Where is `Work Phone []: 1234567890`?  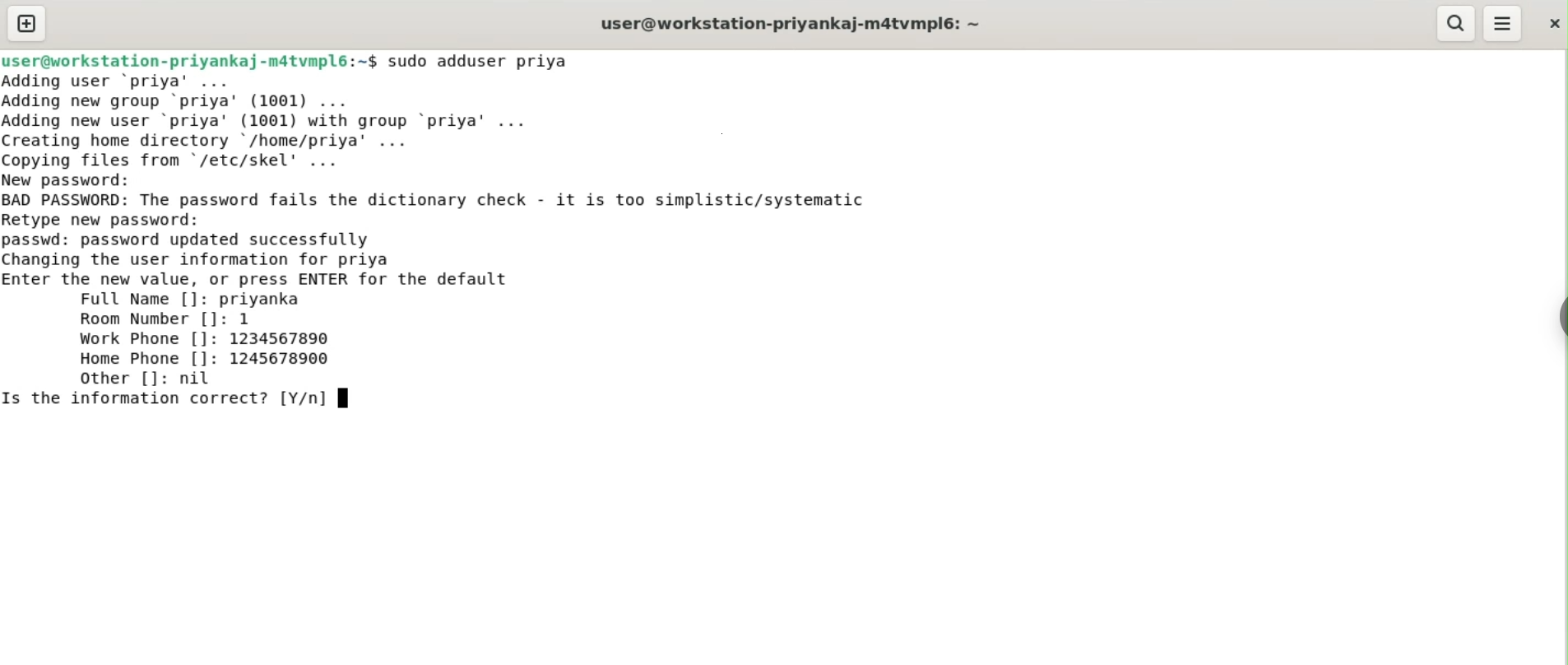 Work Phone []: 1234567890 is located at coordinates (208, 339).